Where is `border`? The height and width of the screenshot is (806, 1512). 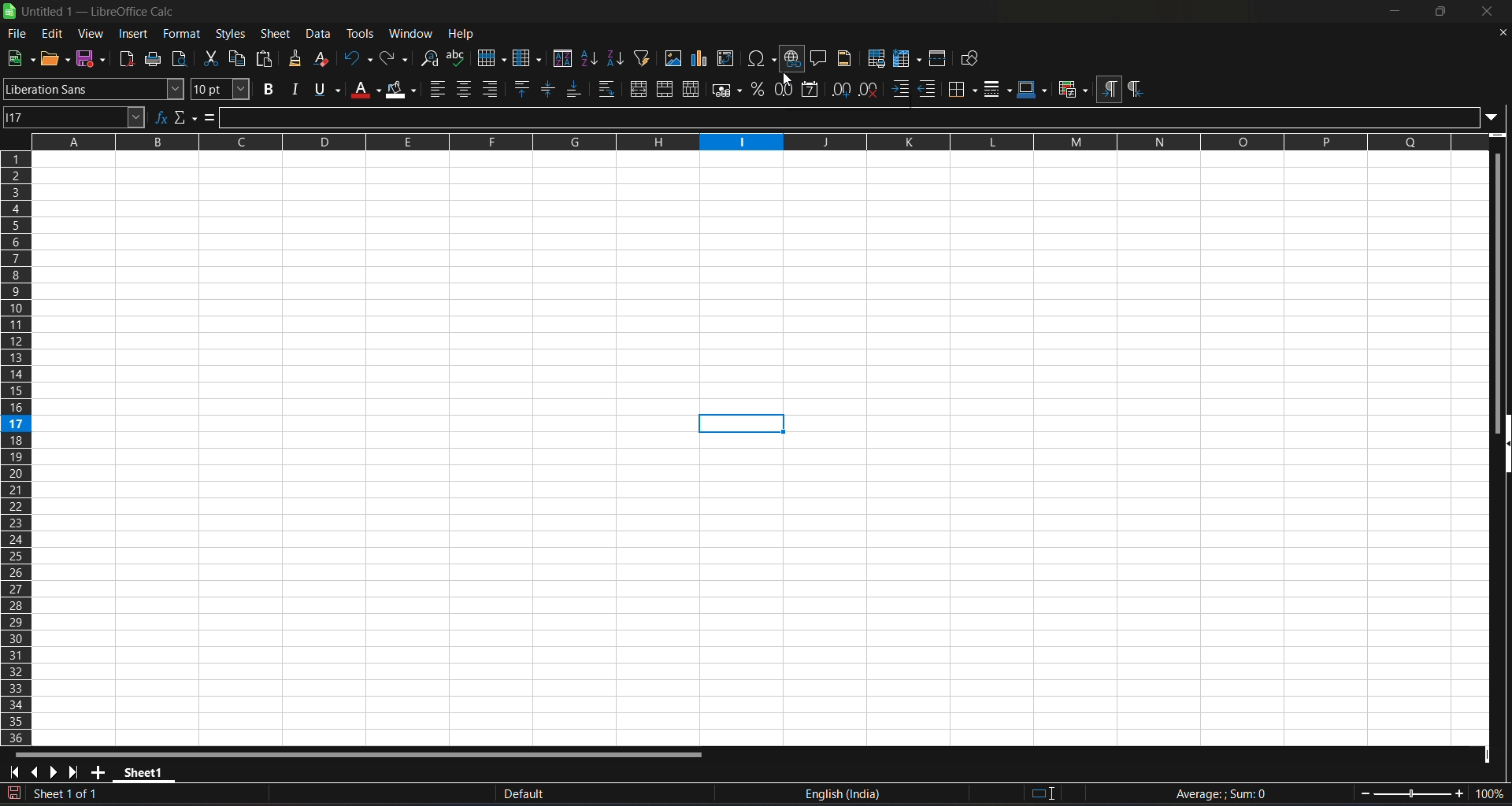 border is located at coordinates (963, 89).